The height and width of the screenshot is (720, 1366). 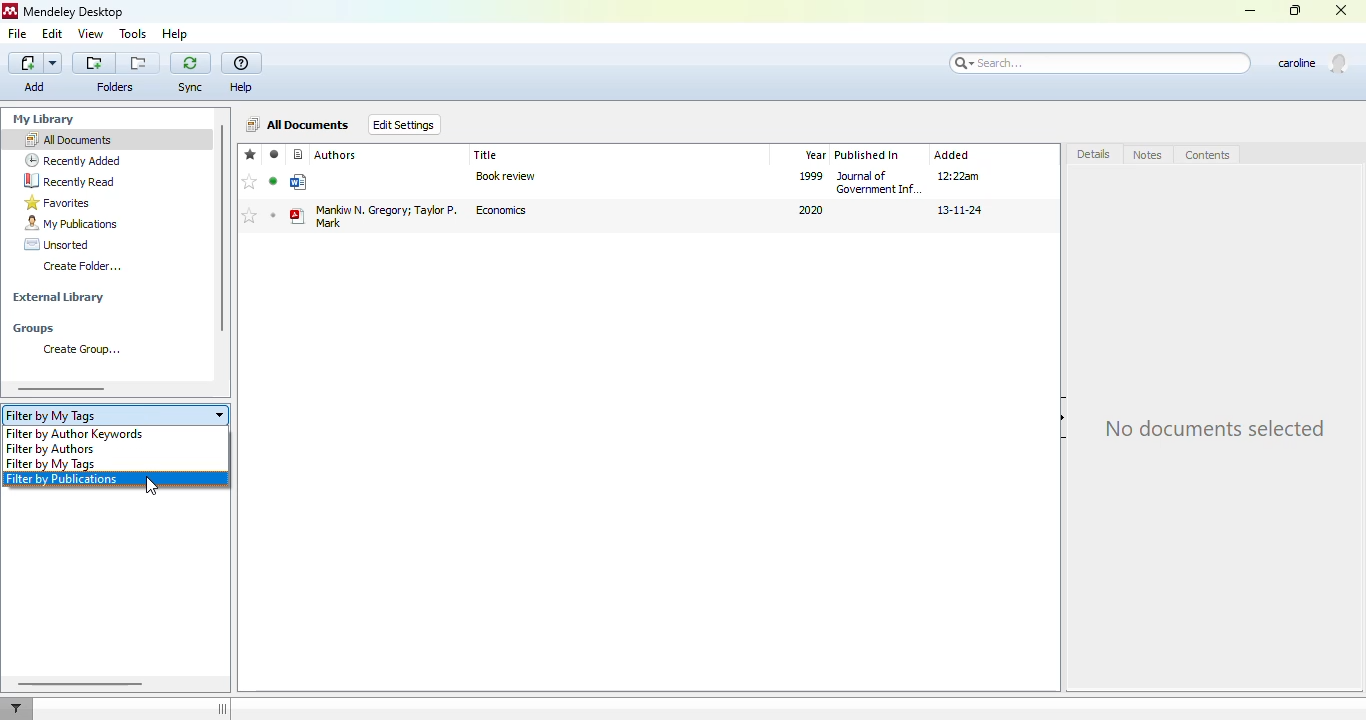 What do you see at coordinates (190, 73) in the screenshot?
I see `sync` at bounding box center [190, 73].